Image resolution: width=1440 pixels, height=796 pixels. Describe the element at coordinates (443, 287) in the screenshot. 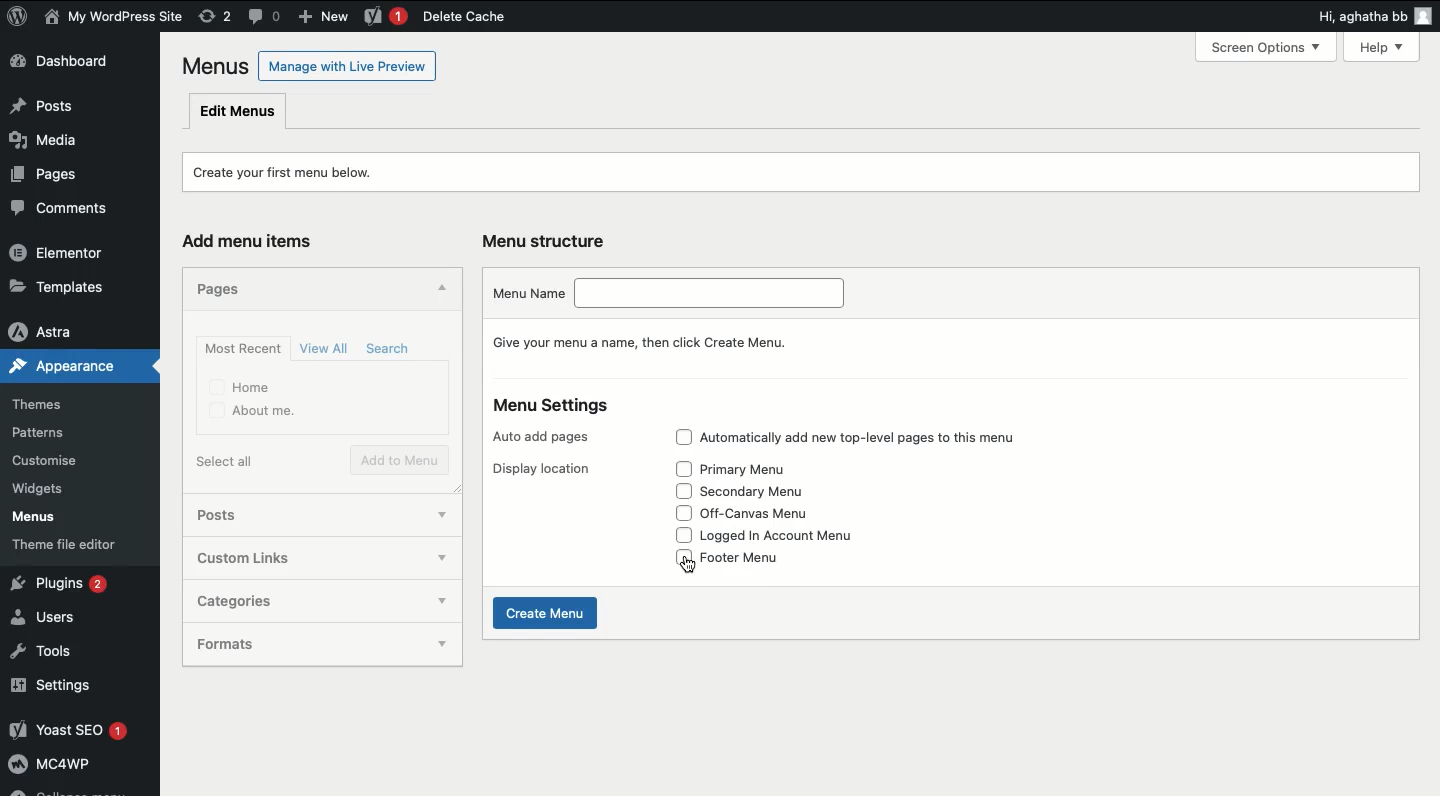

I see `Hide` at that location.